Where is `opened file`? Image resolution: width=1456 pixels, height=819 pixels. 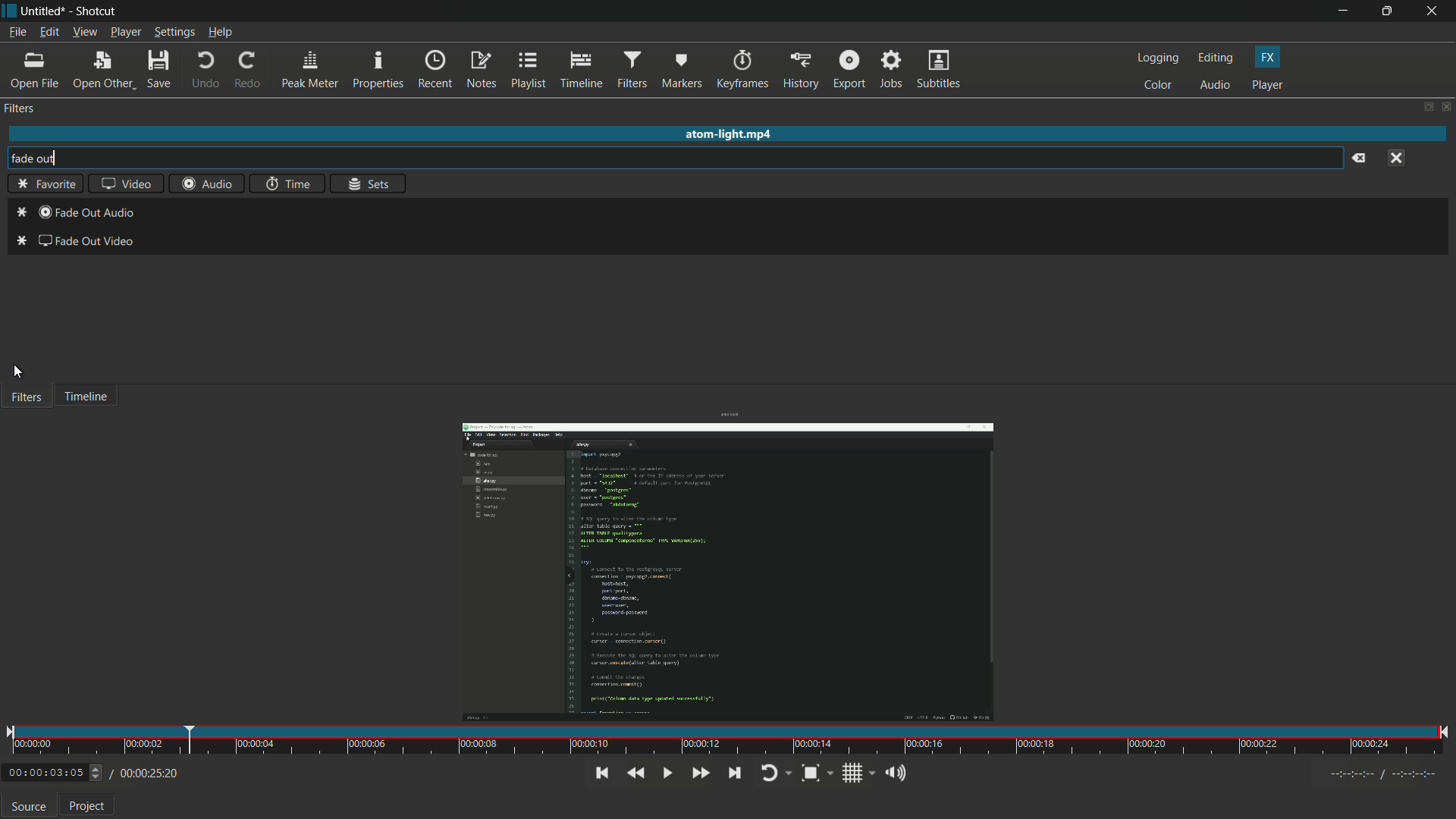
opened file is located at coordinates (726, 565).